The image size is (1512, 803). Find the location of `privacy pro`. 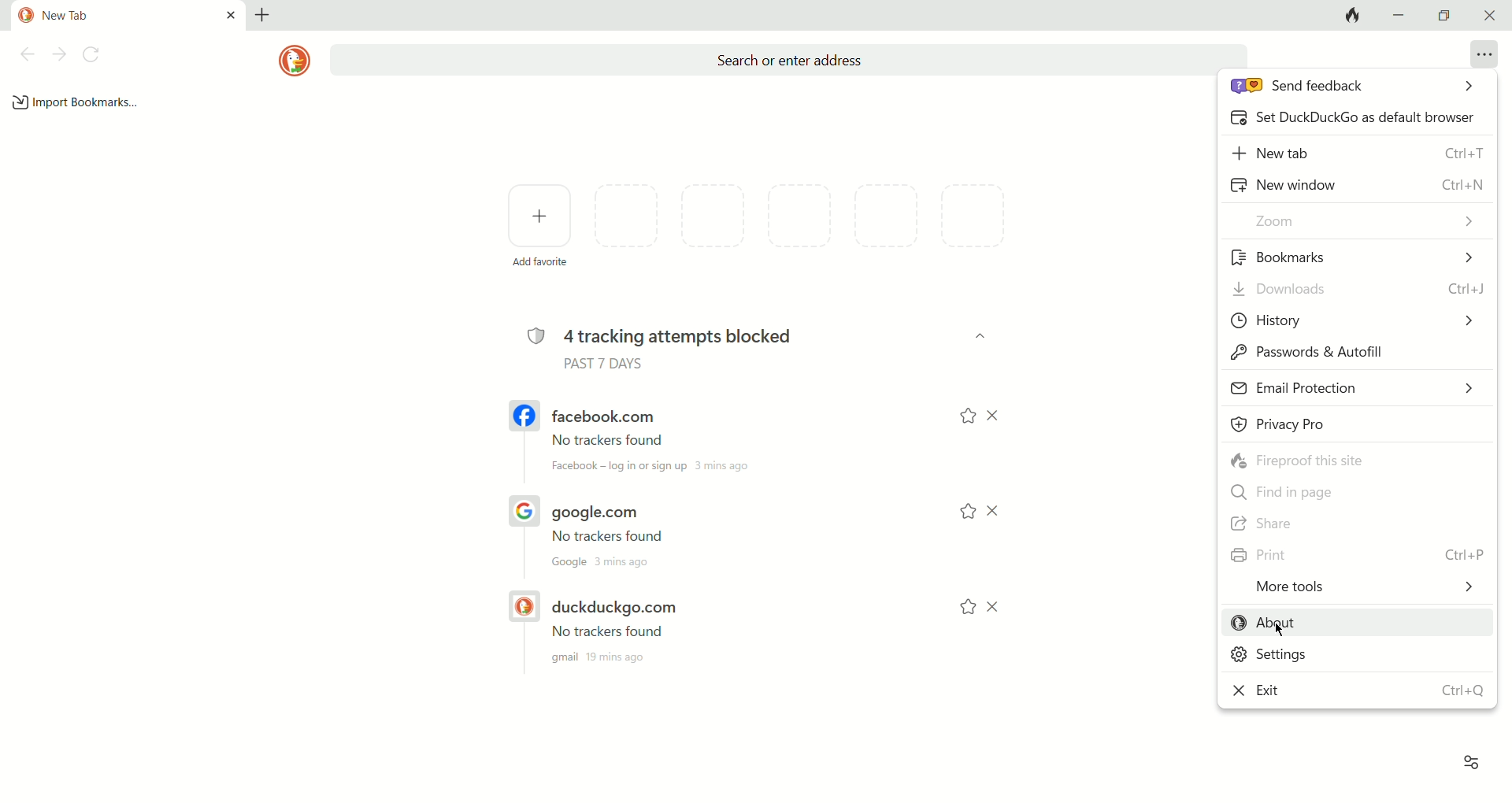

privacy pro is located at coordinates (1354, 426).